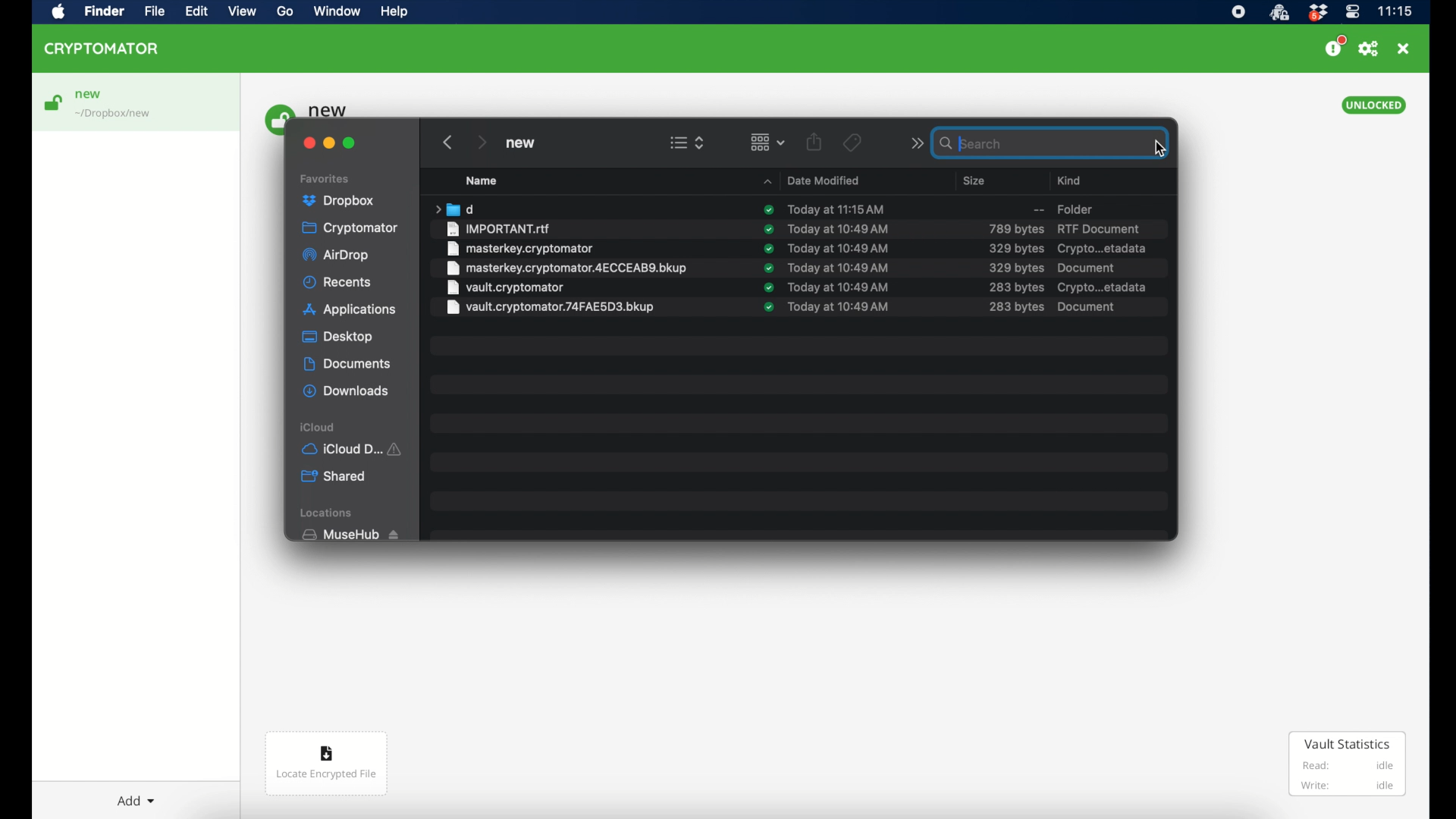 The width and height of the screenshot is (1456, 819). I want to click on share, so click(816, 146).